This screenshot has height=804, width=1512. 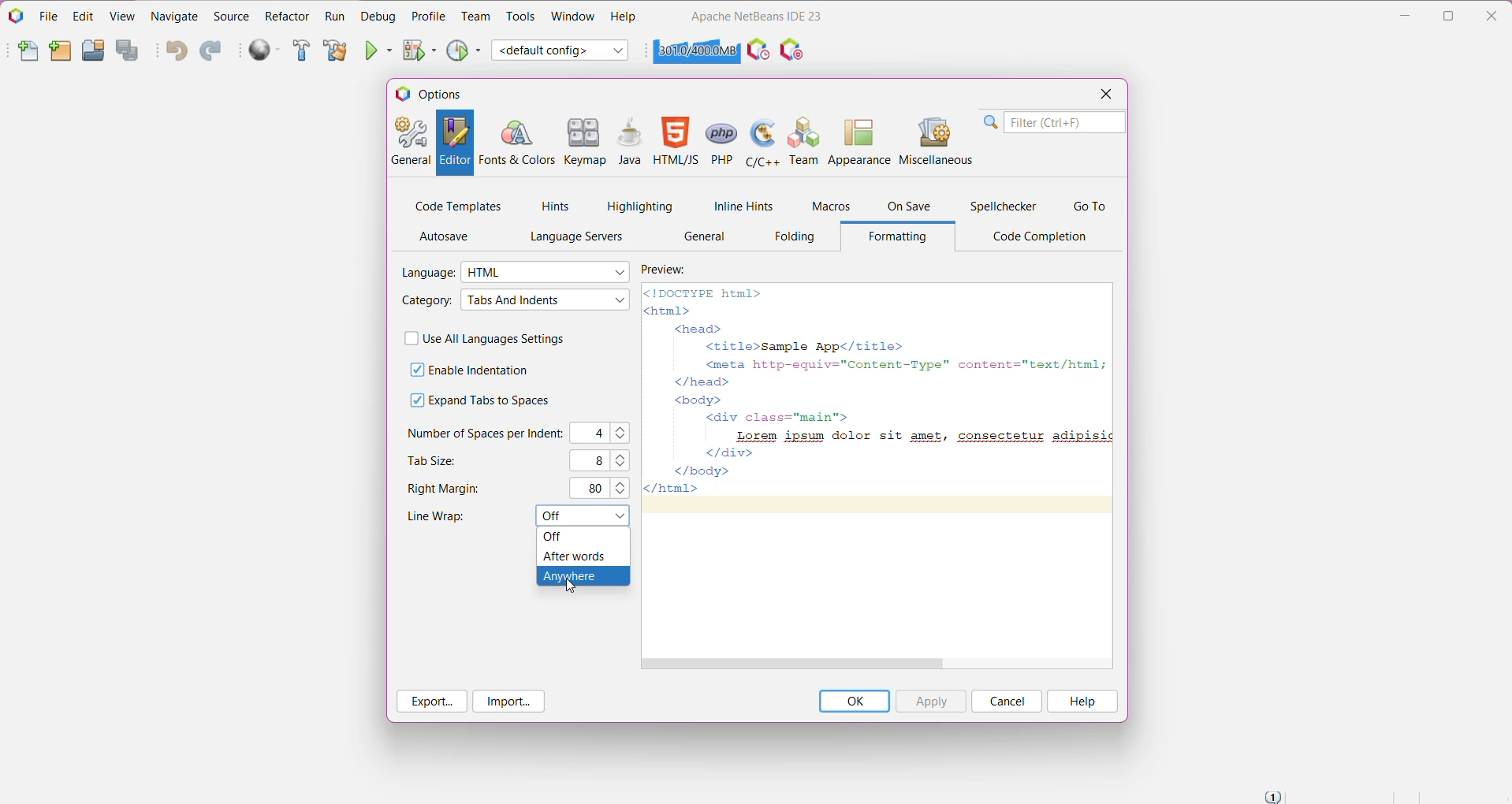 What do you see at coordinates (414, 370) in the screenshot?
I see `check off` at bounding box center [414, 370].